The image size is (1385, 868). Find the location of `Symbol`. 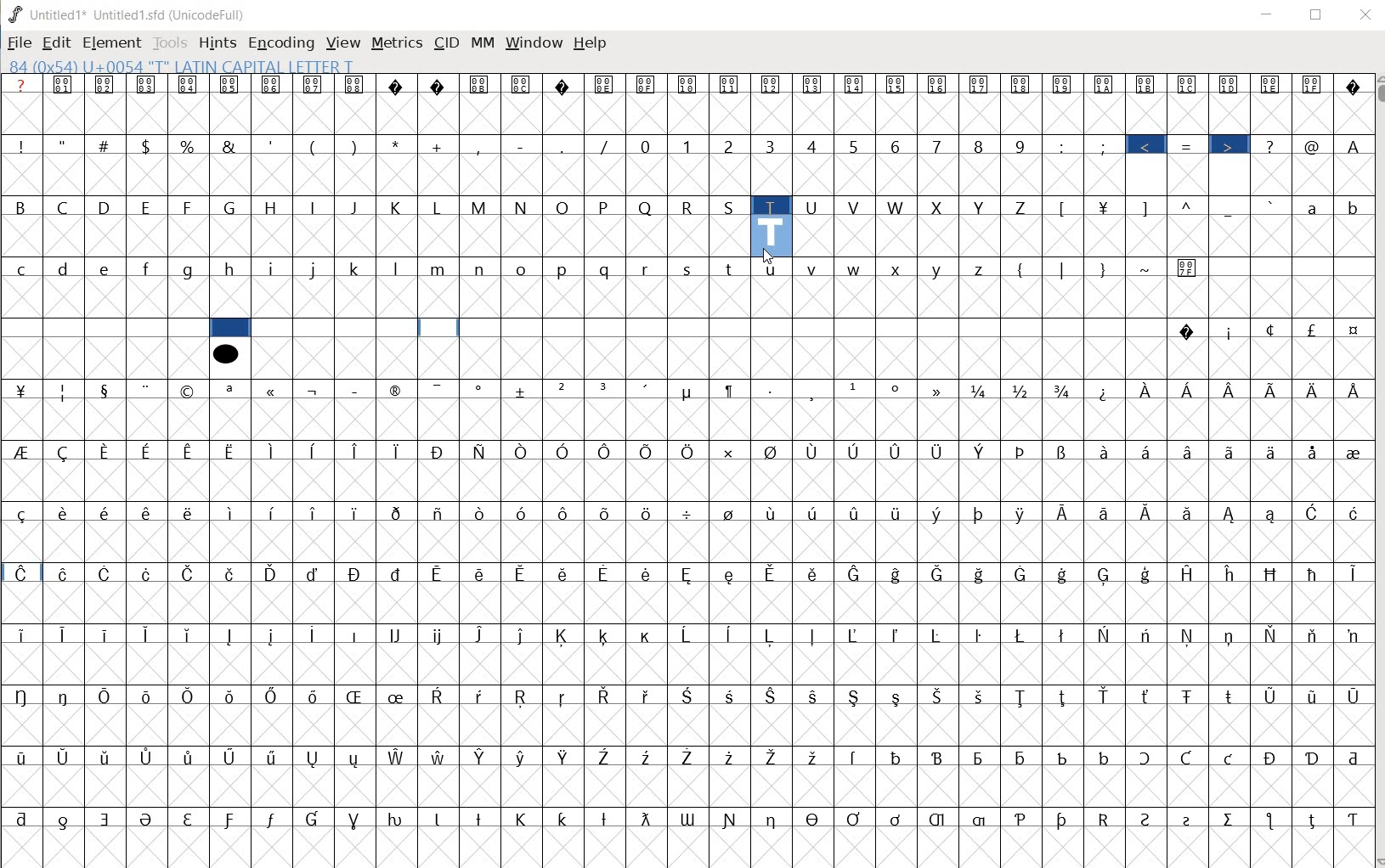

Symbol is located at coordinates (65, 695).